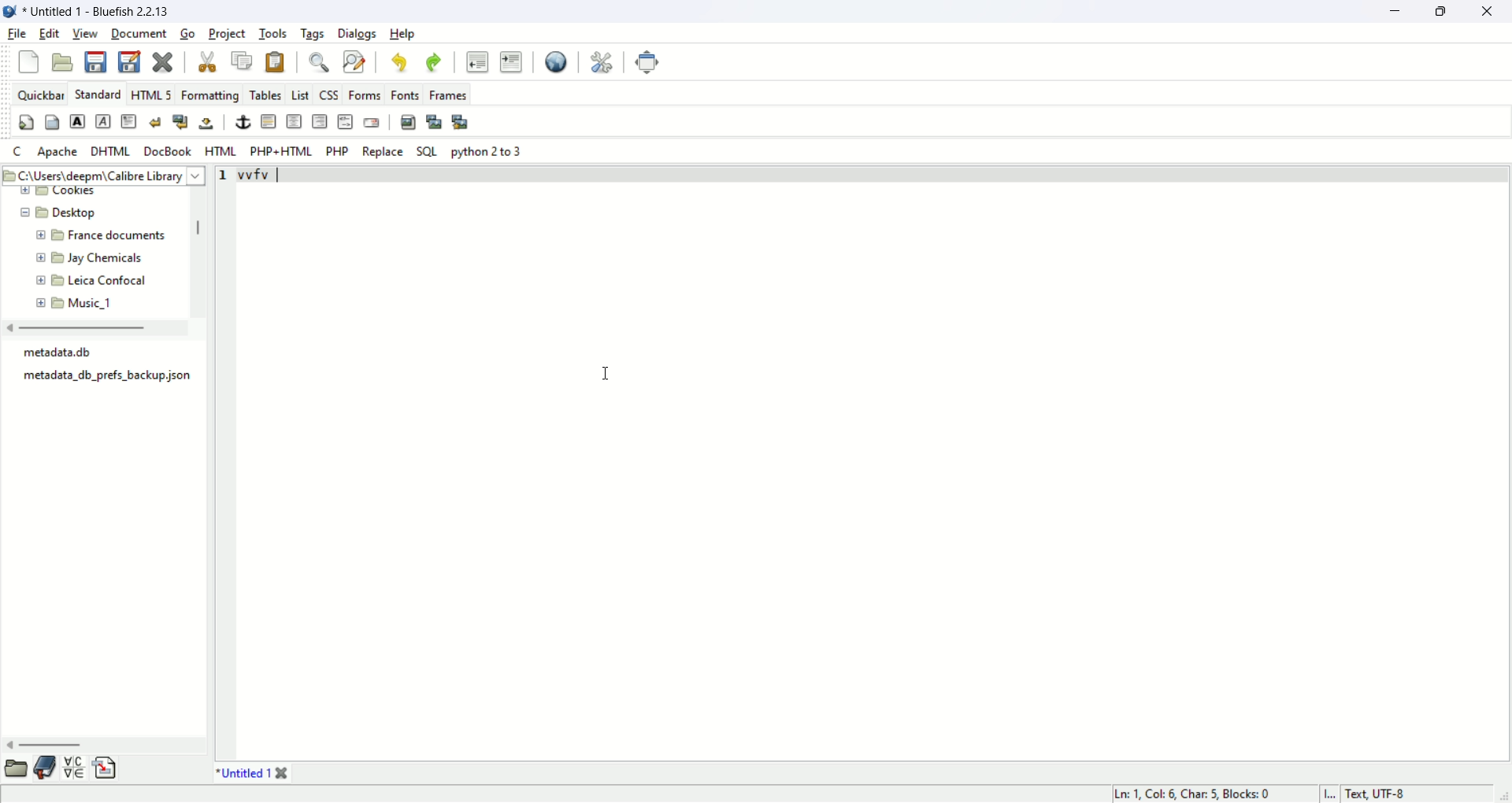  What do you see at coordinates (200, 252) in the screenshot?
I see `scroll bar` at bounding box center [200, 252].